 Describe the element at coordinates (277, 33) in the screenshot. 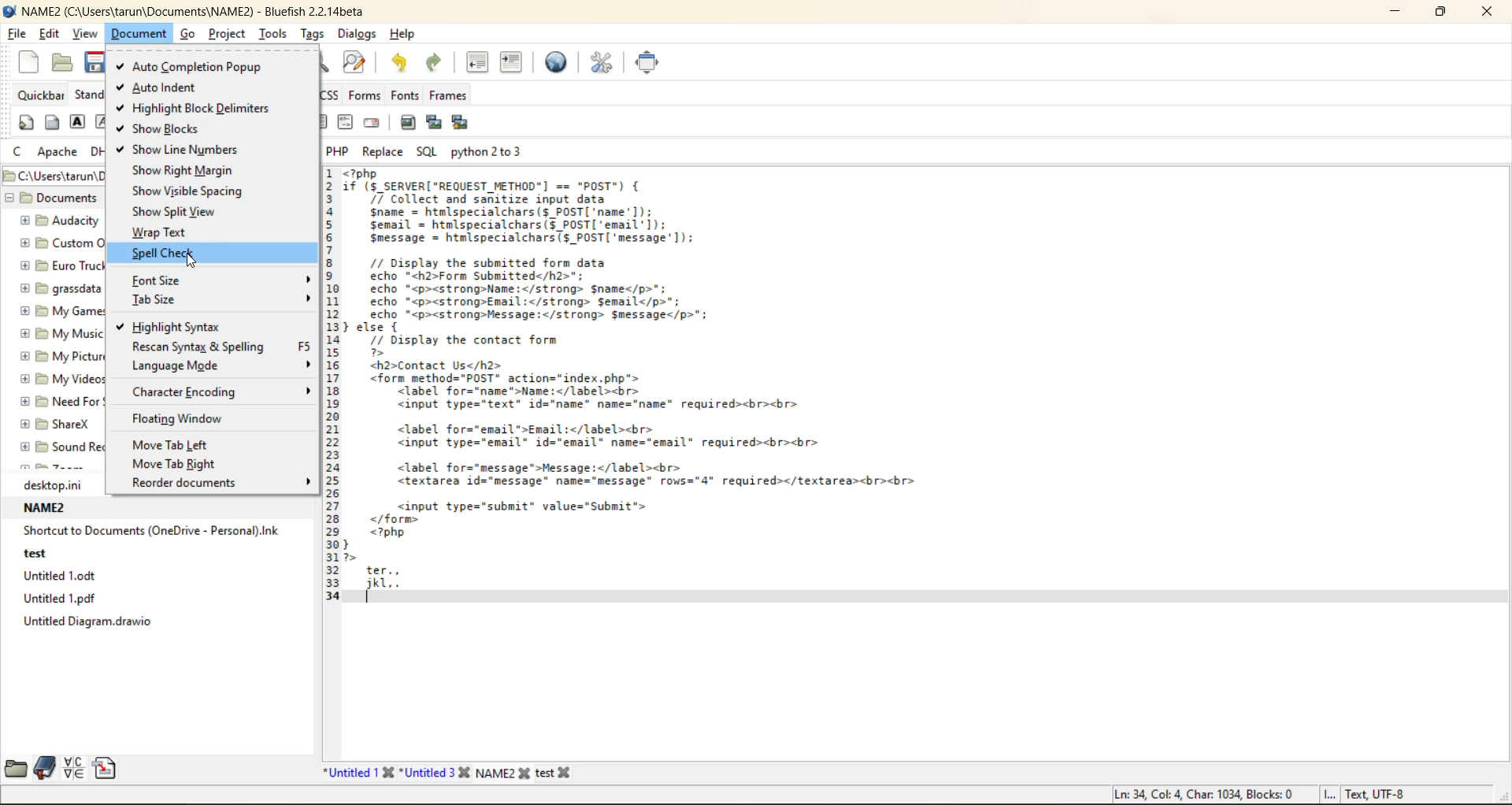

I see `tools` at that location.